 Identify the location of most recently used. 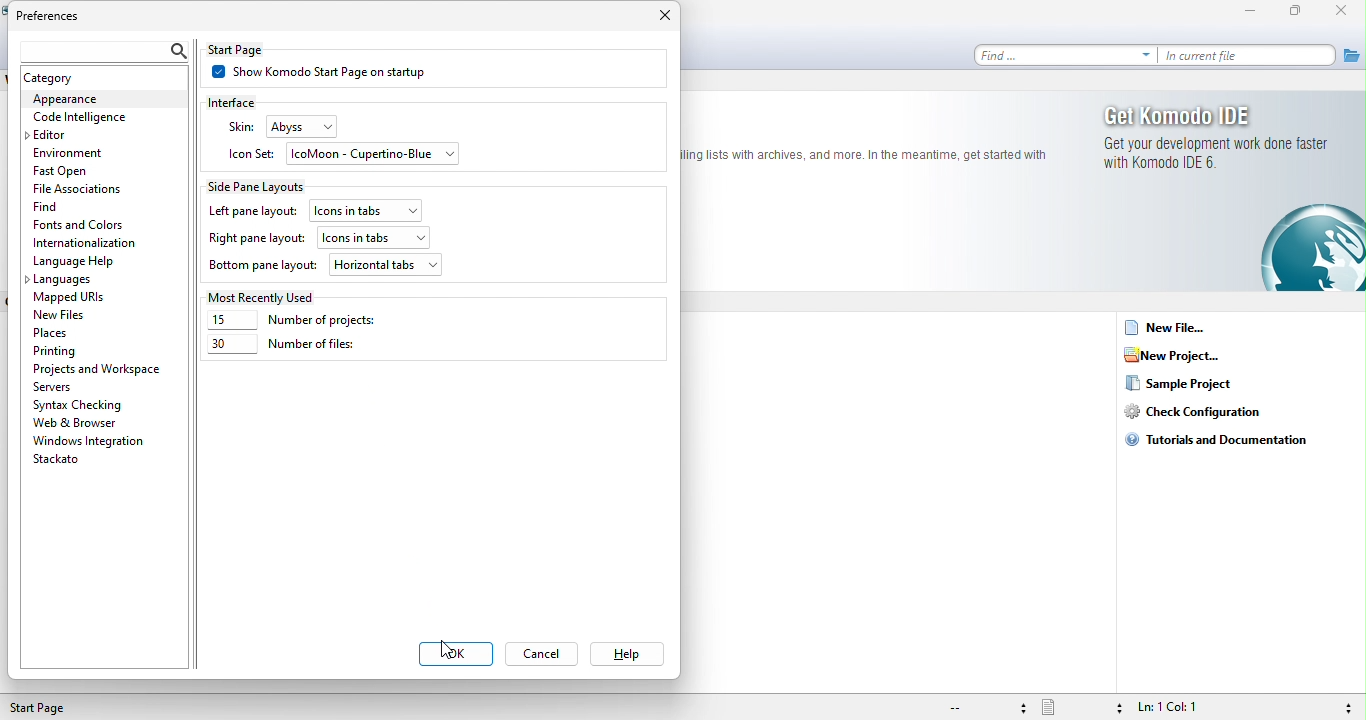
(266, 296).